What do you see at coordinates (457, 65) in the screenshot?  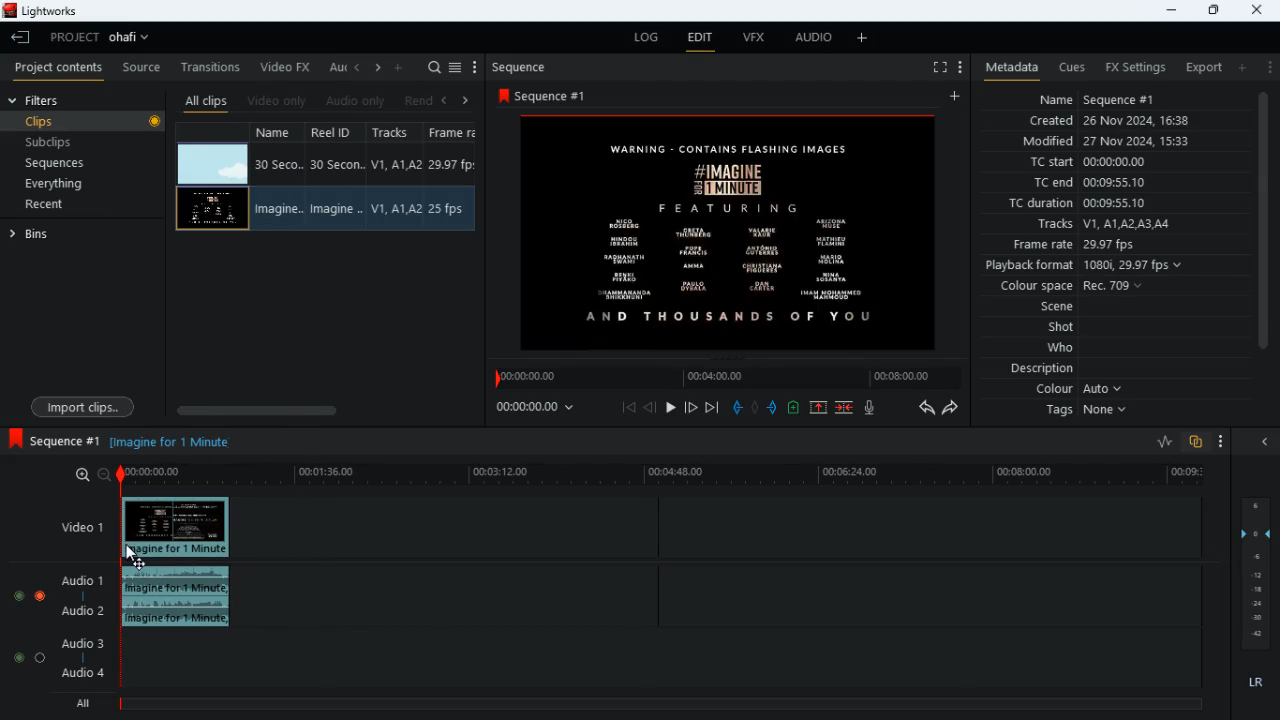 I see `menu` at bounding box center [457, 65].